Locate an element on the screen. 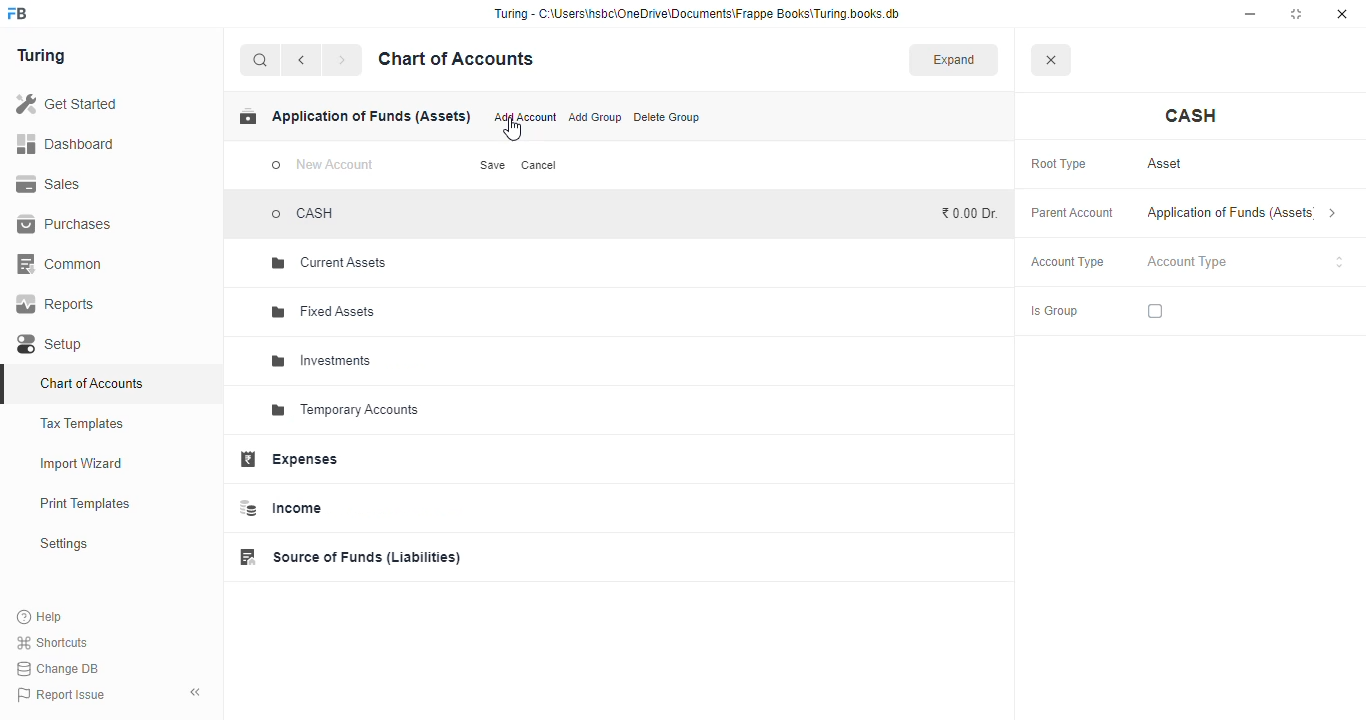  purchases is located at coordinates (67, 225).